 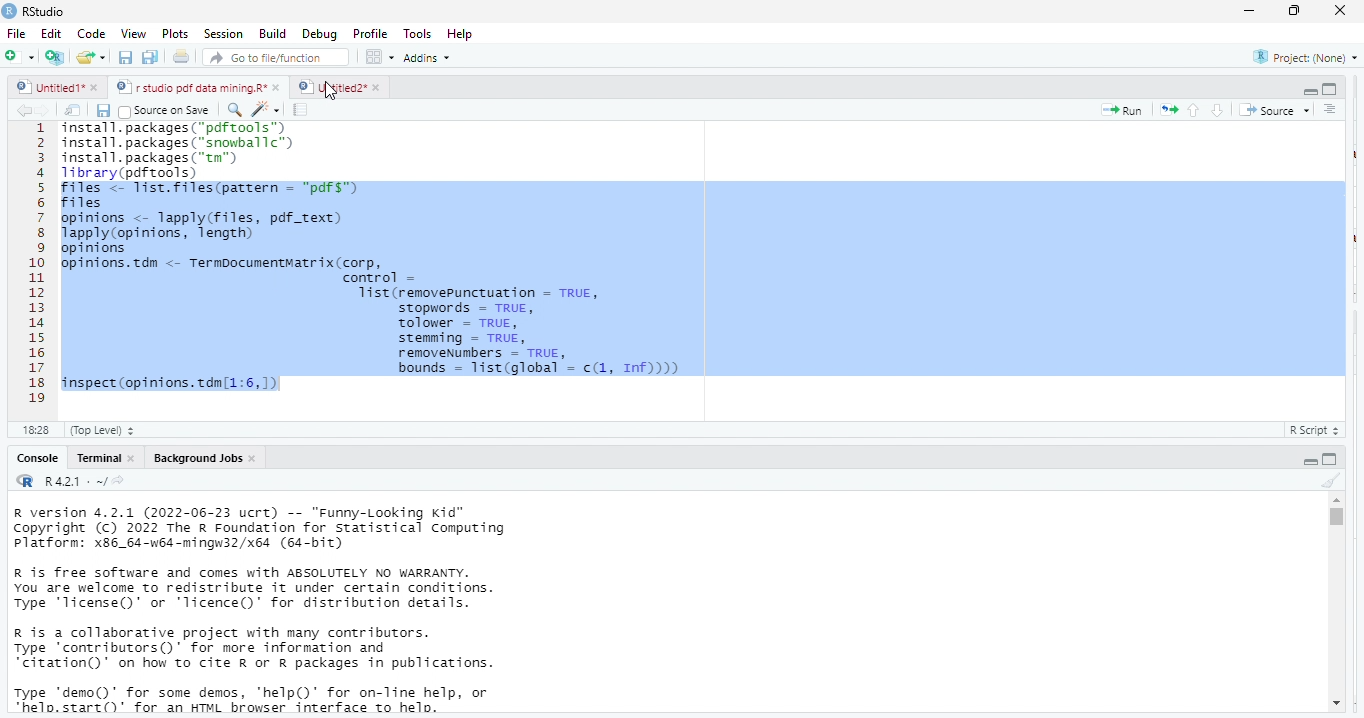 What do you see at coordinates (24, 110) in the screenshot?
I see `go back to the previous source location` at bounding box center [24, 110].